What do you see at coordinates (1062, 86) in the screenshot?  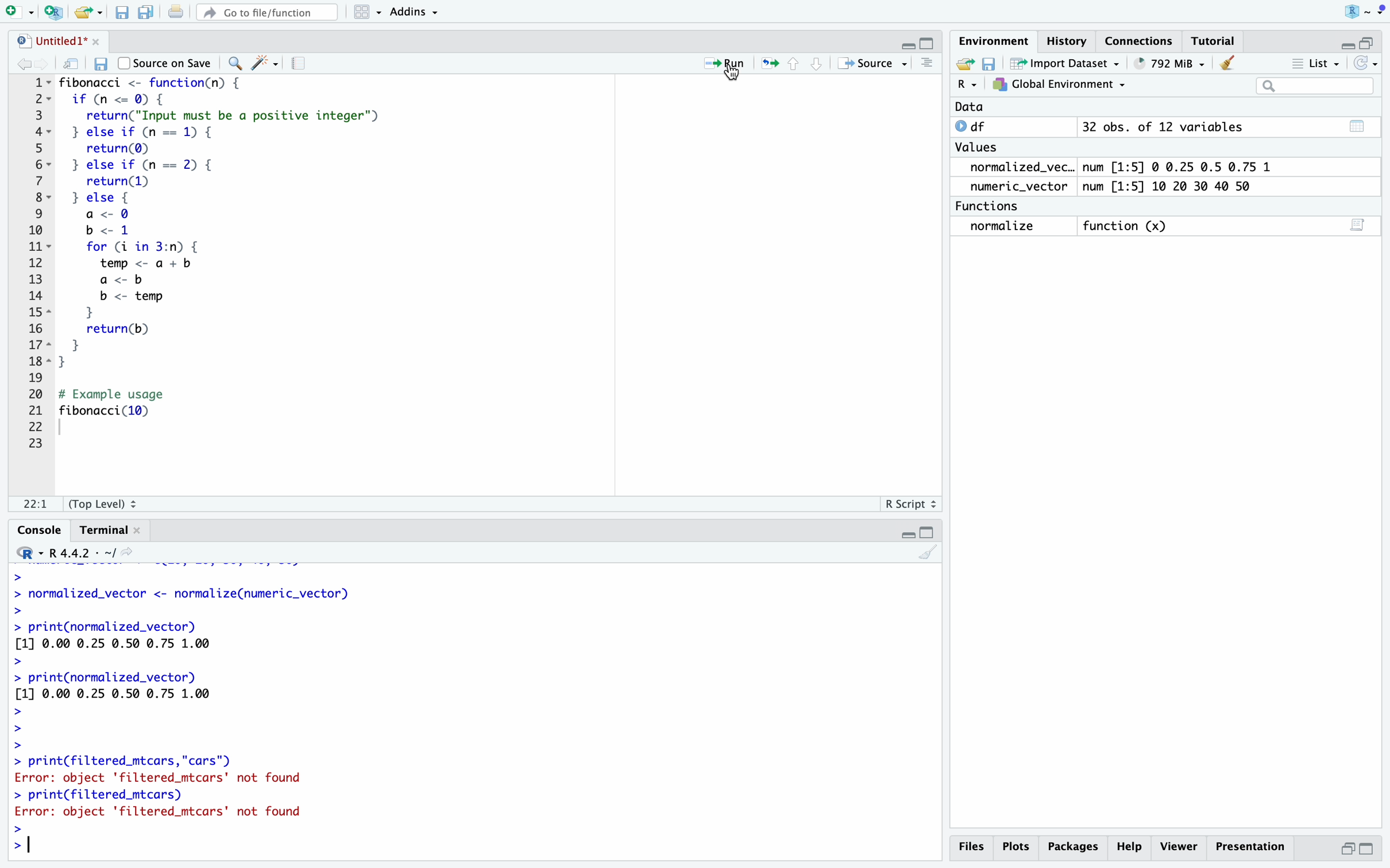 I see `global environment` at bounding box center [1062, 86].